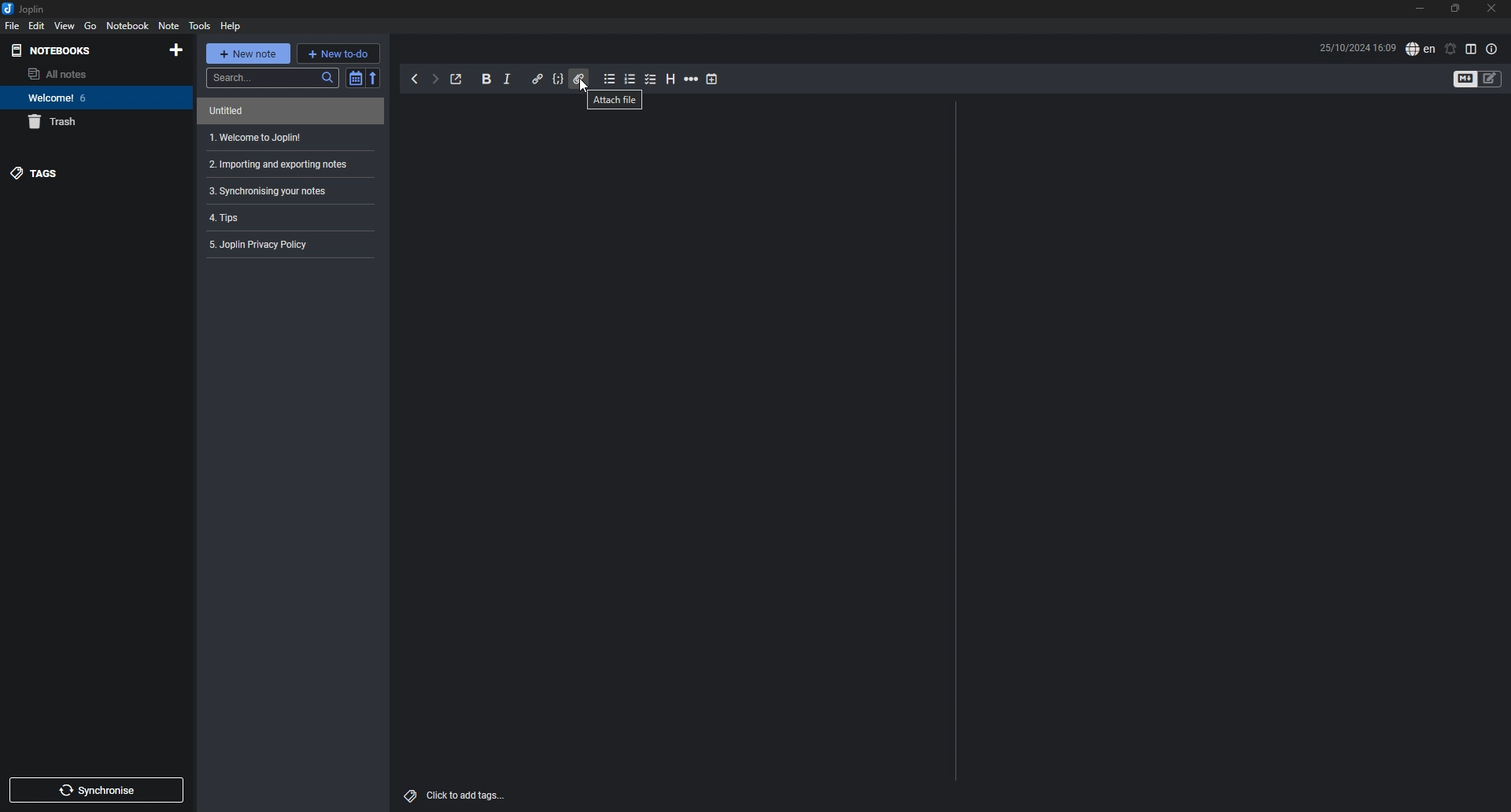  What do you see at coordinates (271, 77) in the screenshot?
I see `search bar` at bounding box center [271, 77].